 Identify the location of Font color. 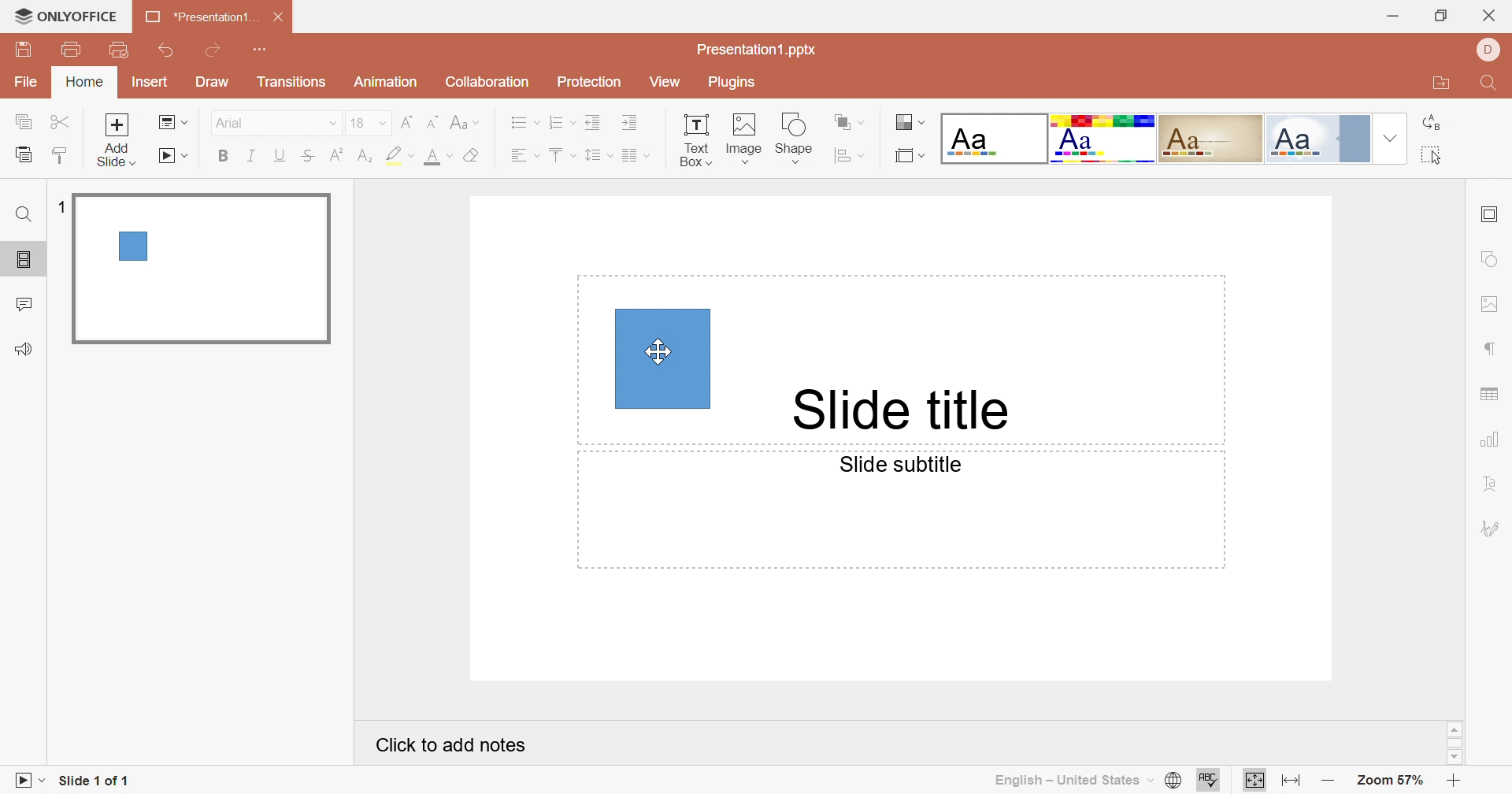
(434, 158).